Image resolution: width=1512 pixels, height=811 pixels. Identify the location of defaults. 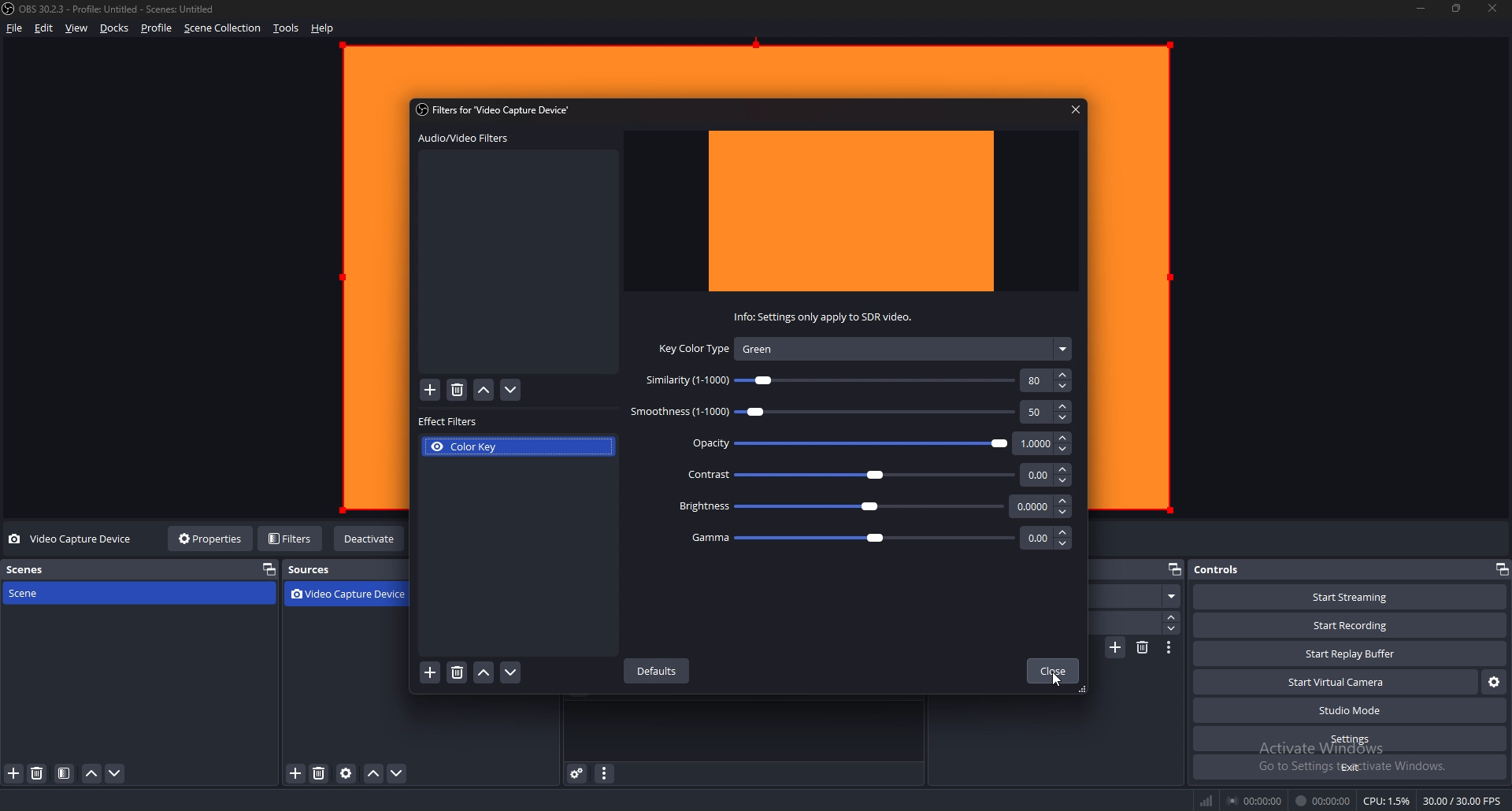
(659, 672).